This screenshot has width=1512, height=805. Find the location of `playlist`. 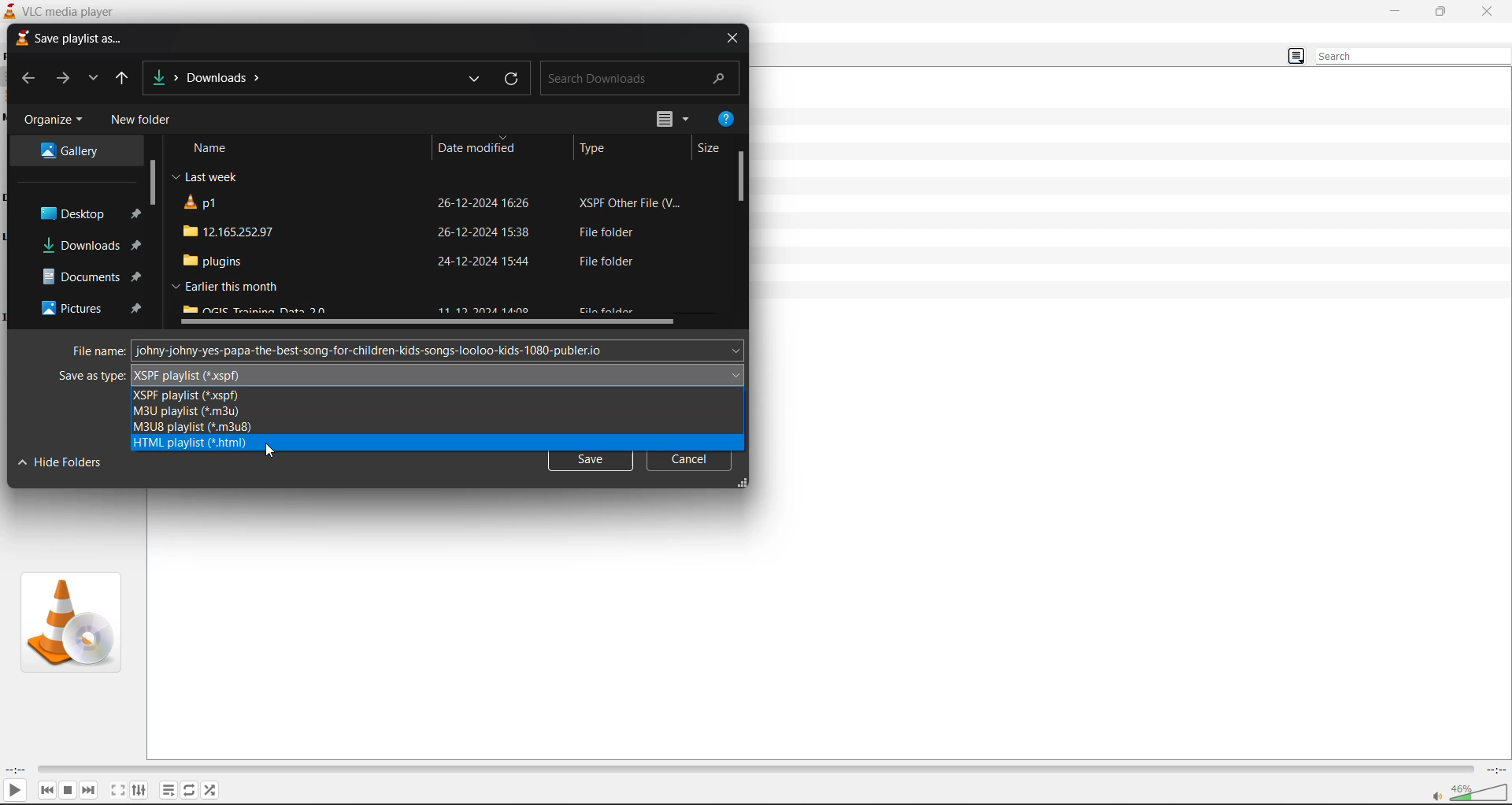

playlist is located at coordinates (169, 791).